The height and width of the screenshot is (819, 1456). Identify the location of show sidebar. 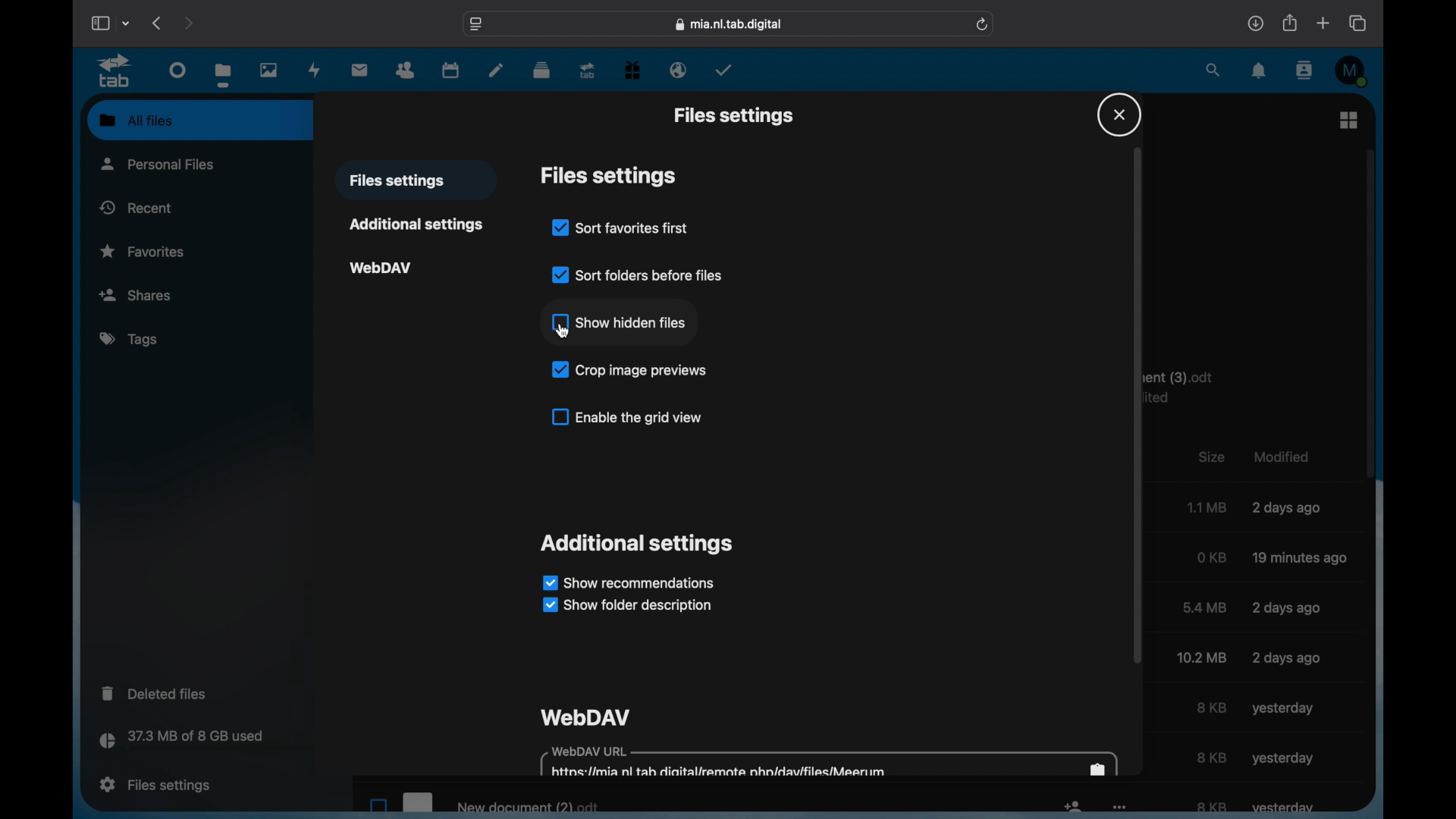
(99, 23).